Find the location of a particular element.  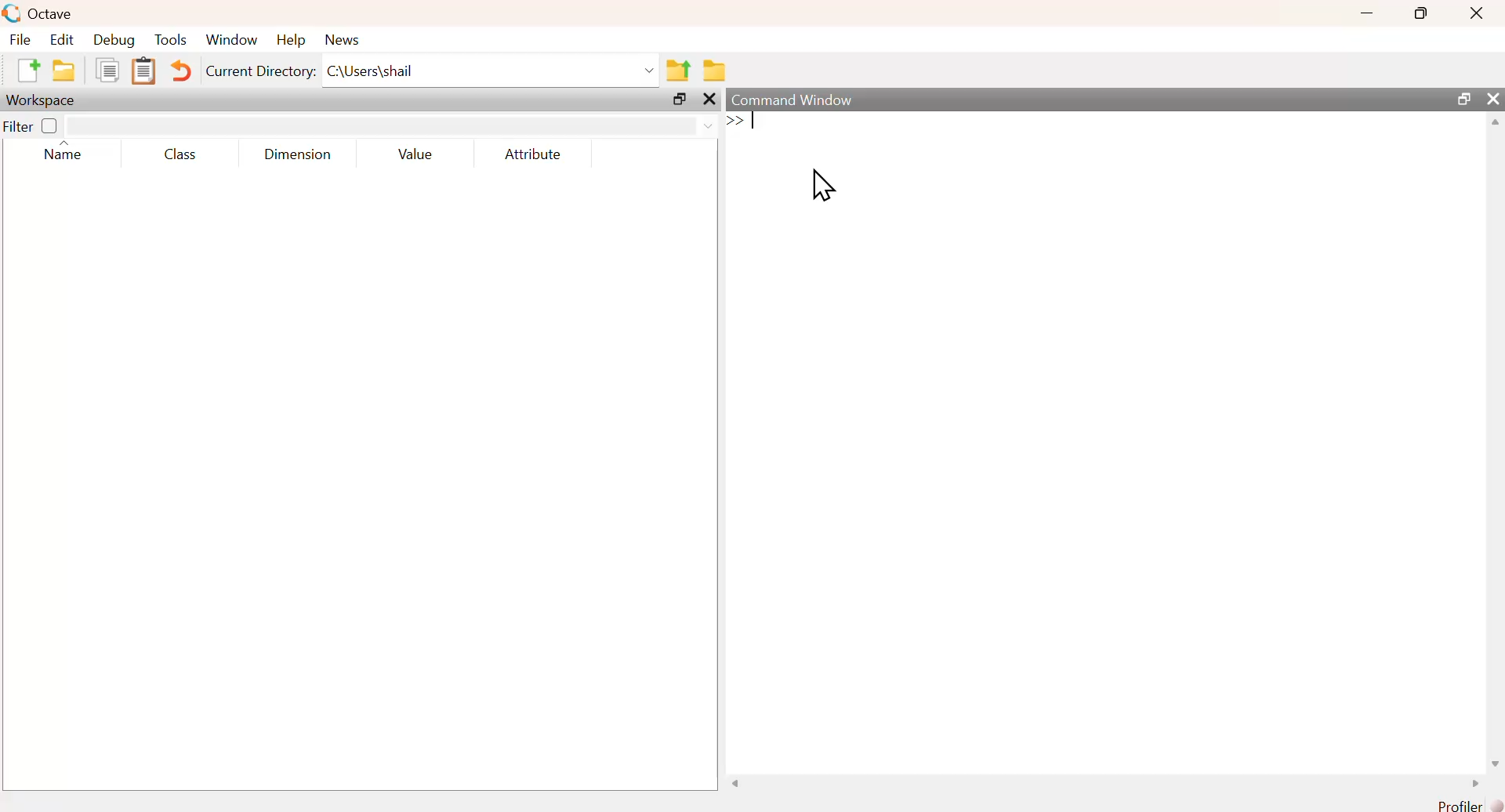

Current Directory: is located at coordinates (260, 71).